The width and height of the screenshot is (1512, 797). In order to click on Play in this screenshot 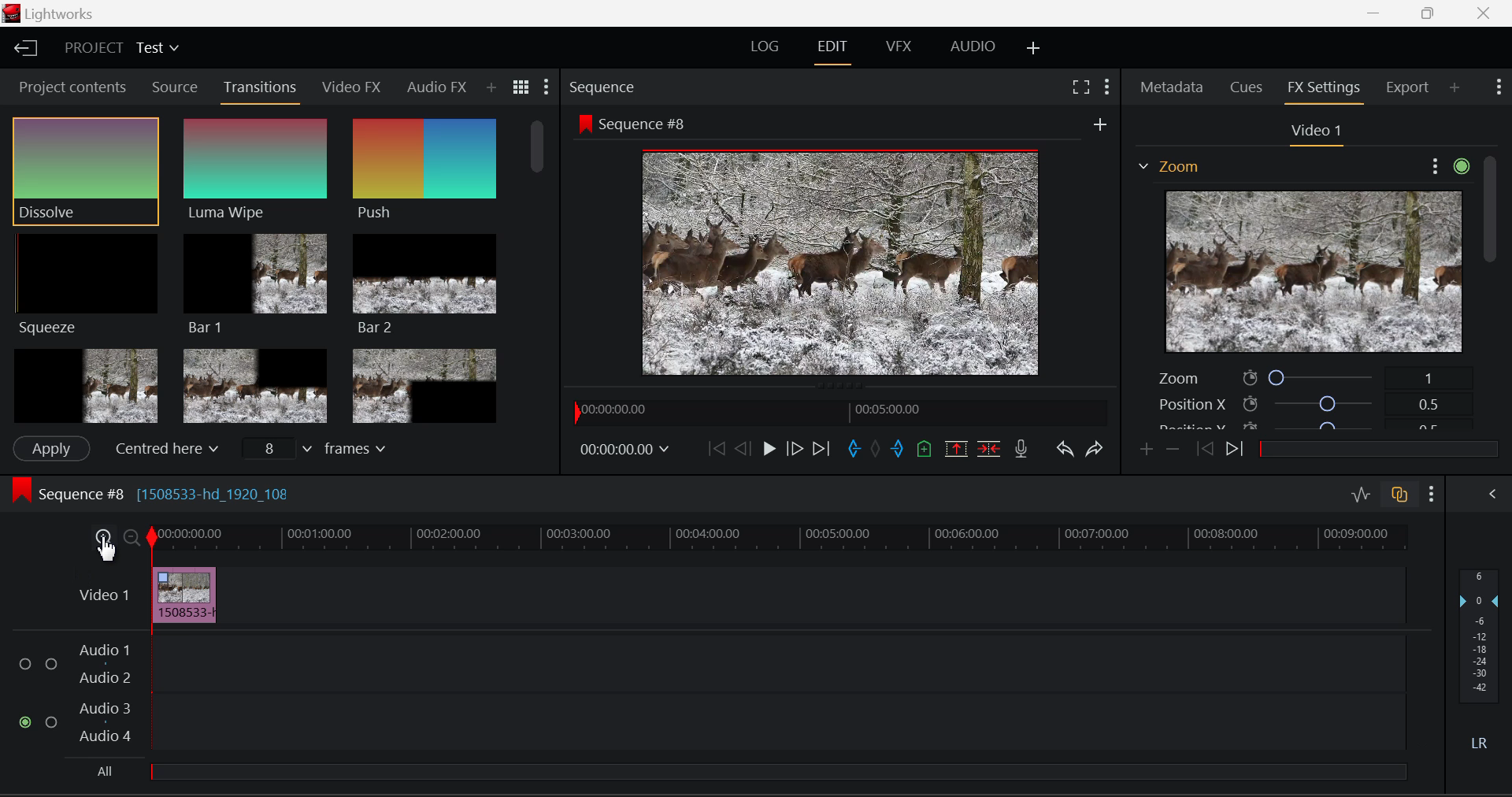, I will do `click(773, 449)`.